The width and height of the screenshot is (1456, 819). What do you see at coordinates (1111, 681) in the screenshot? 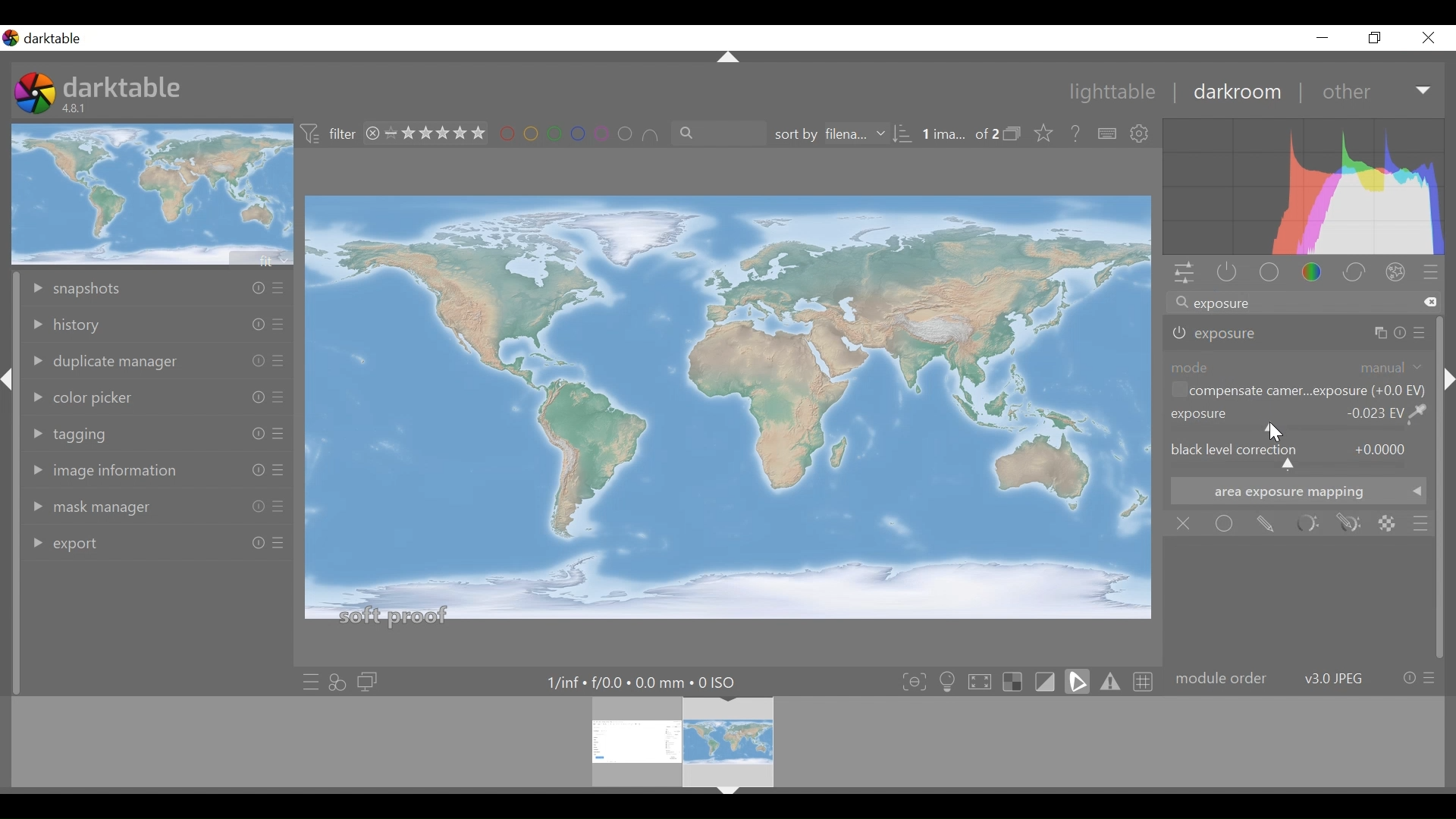
I see `toggle gamut checking` at bounding box center [1111, 681].